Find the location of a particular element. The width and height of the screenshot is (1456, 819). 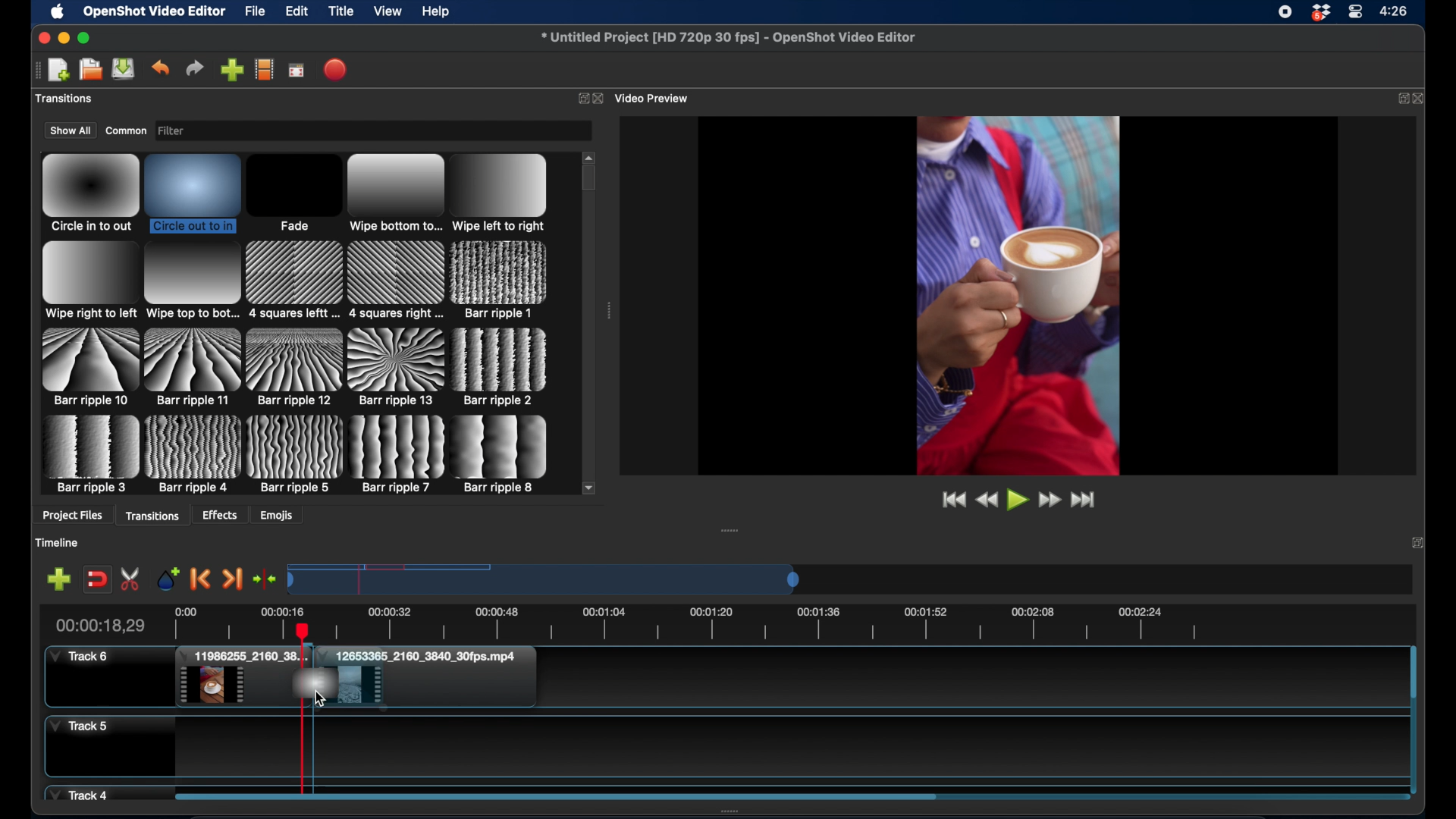

transition is located at coordinates (502, 454).